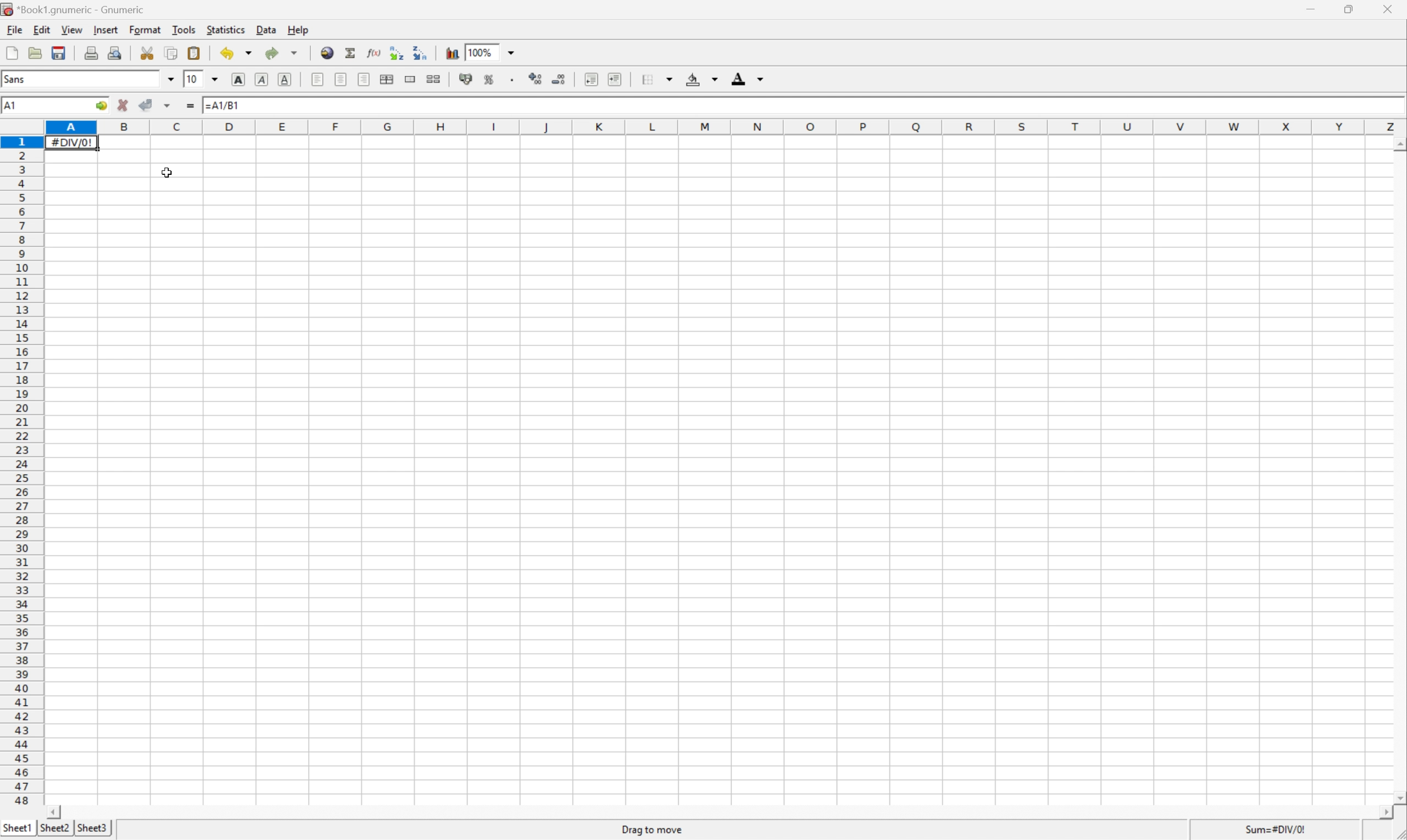  I want to click on accept change, so click(146, 104).